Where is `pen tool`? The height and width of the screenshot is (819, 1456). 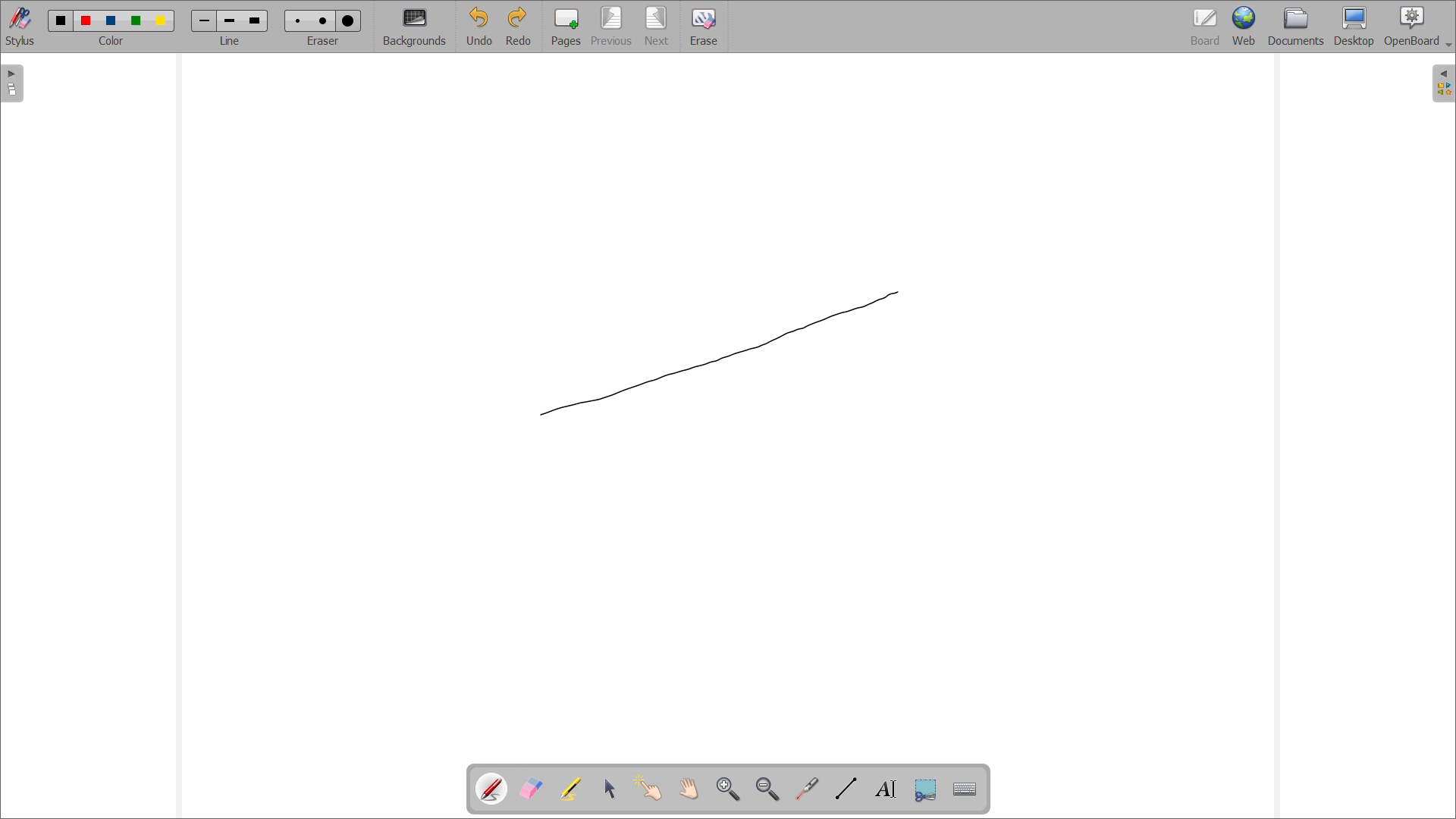 pen tool is located at coordinates (494, 789).